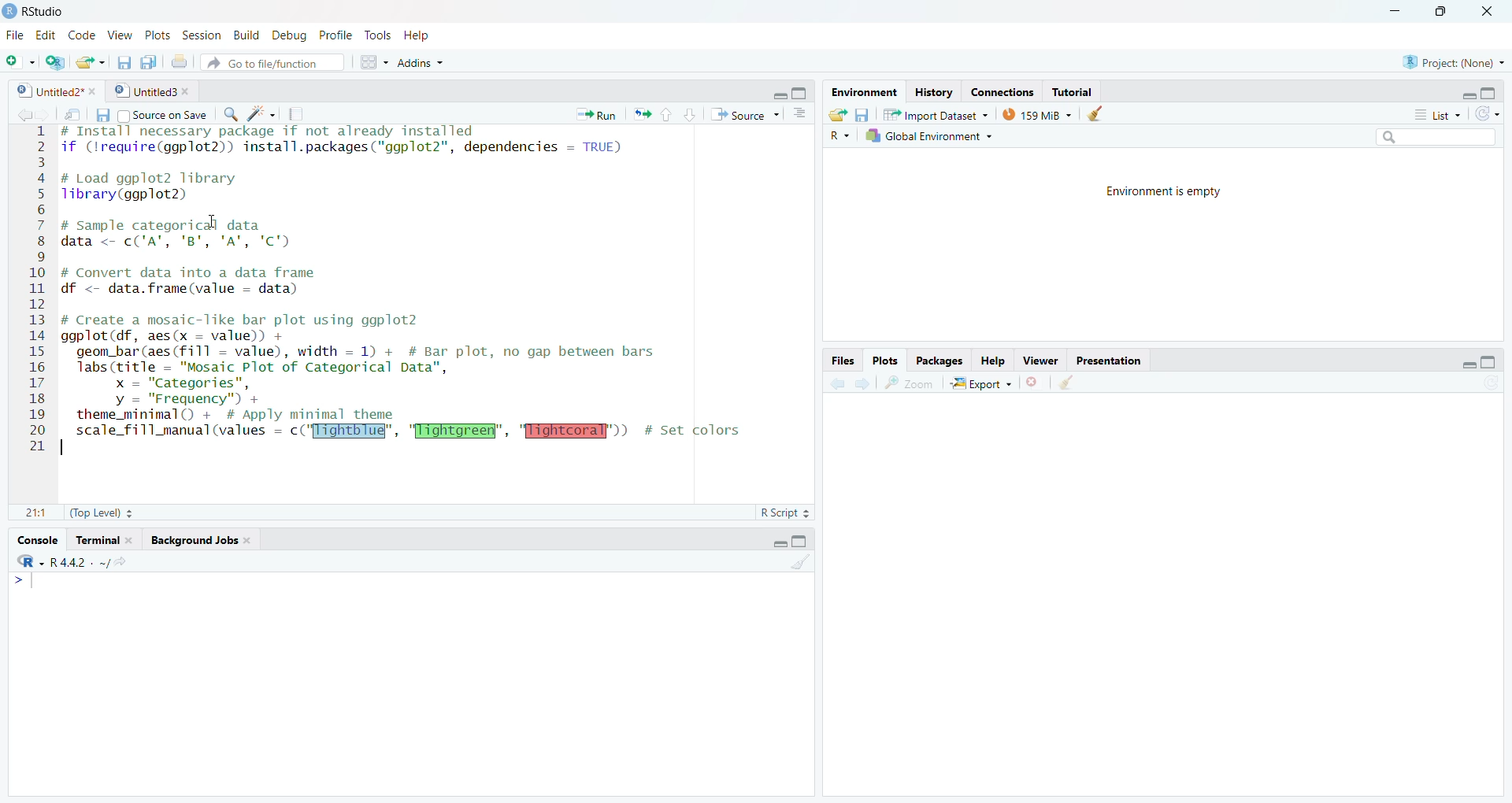 This screenshot has width=1512, height=803. What do you see at coordinates (1448, 12) in the screenshot?
I see `Restore Down` at bounding box center [1448, 12].